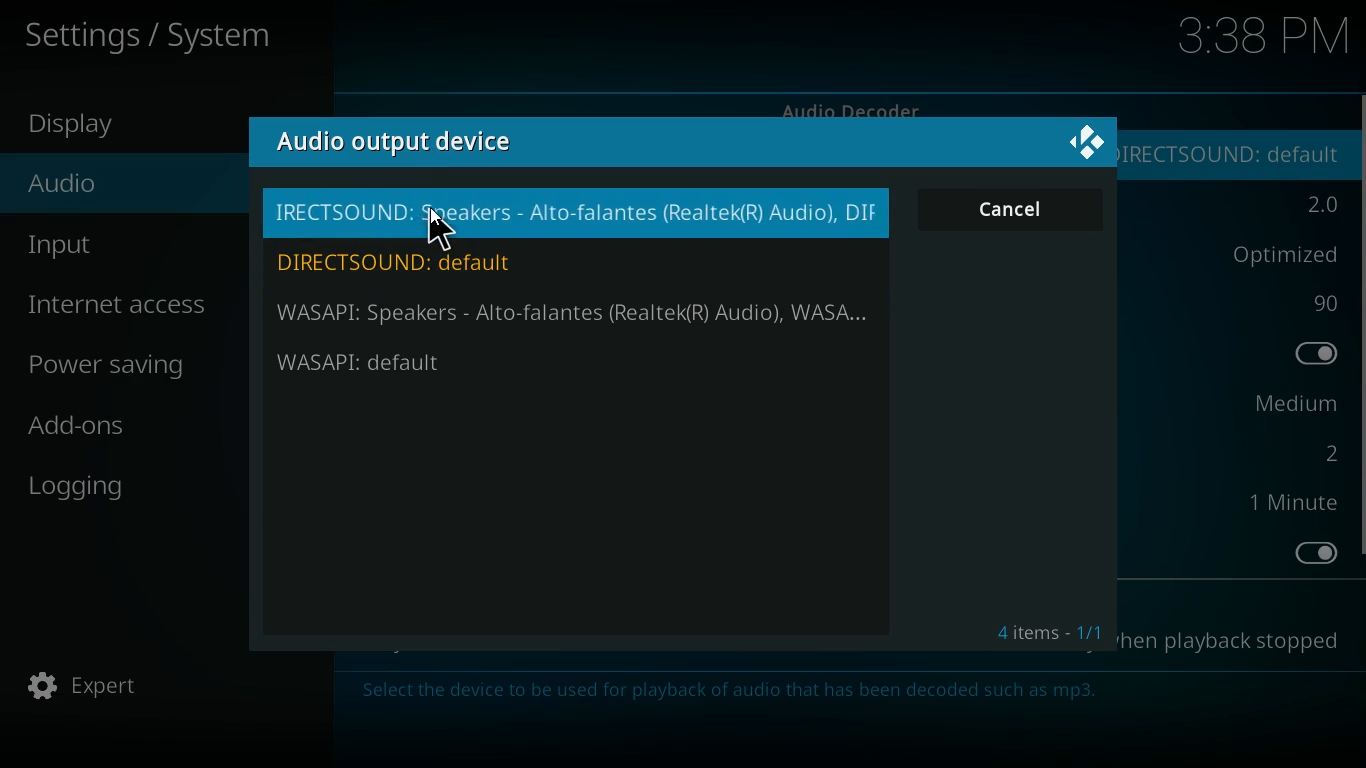  What do you see at coordinates (1299, 504) in the screenshot?
I see `option` at bounding box center [1299, 504].